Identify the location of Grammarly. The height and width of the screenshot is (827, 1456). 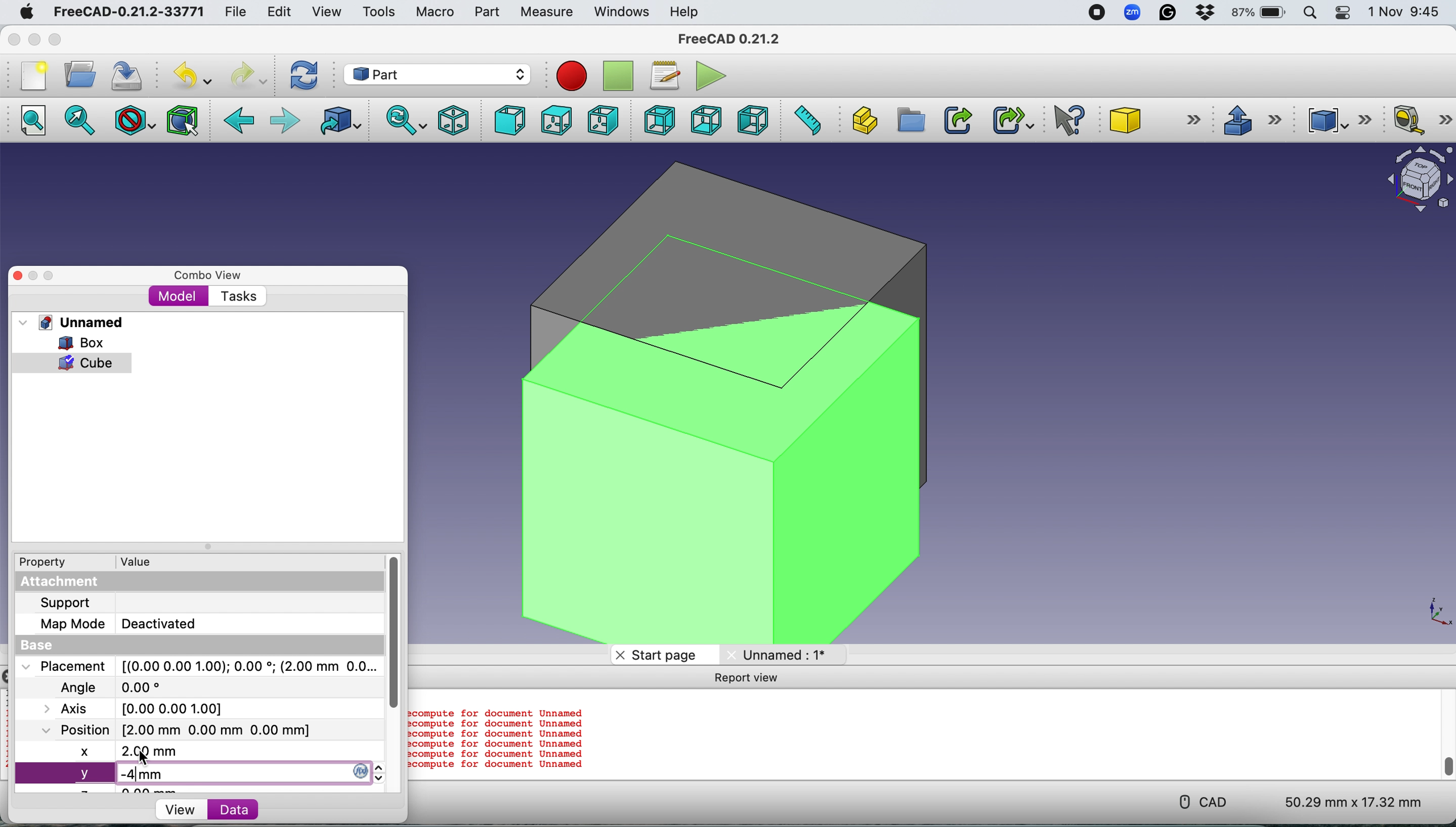
(1169, 12).